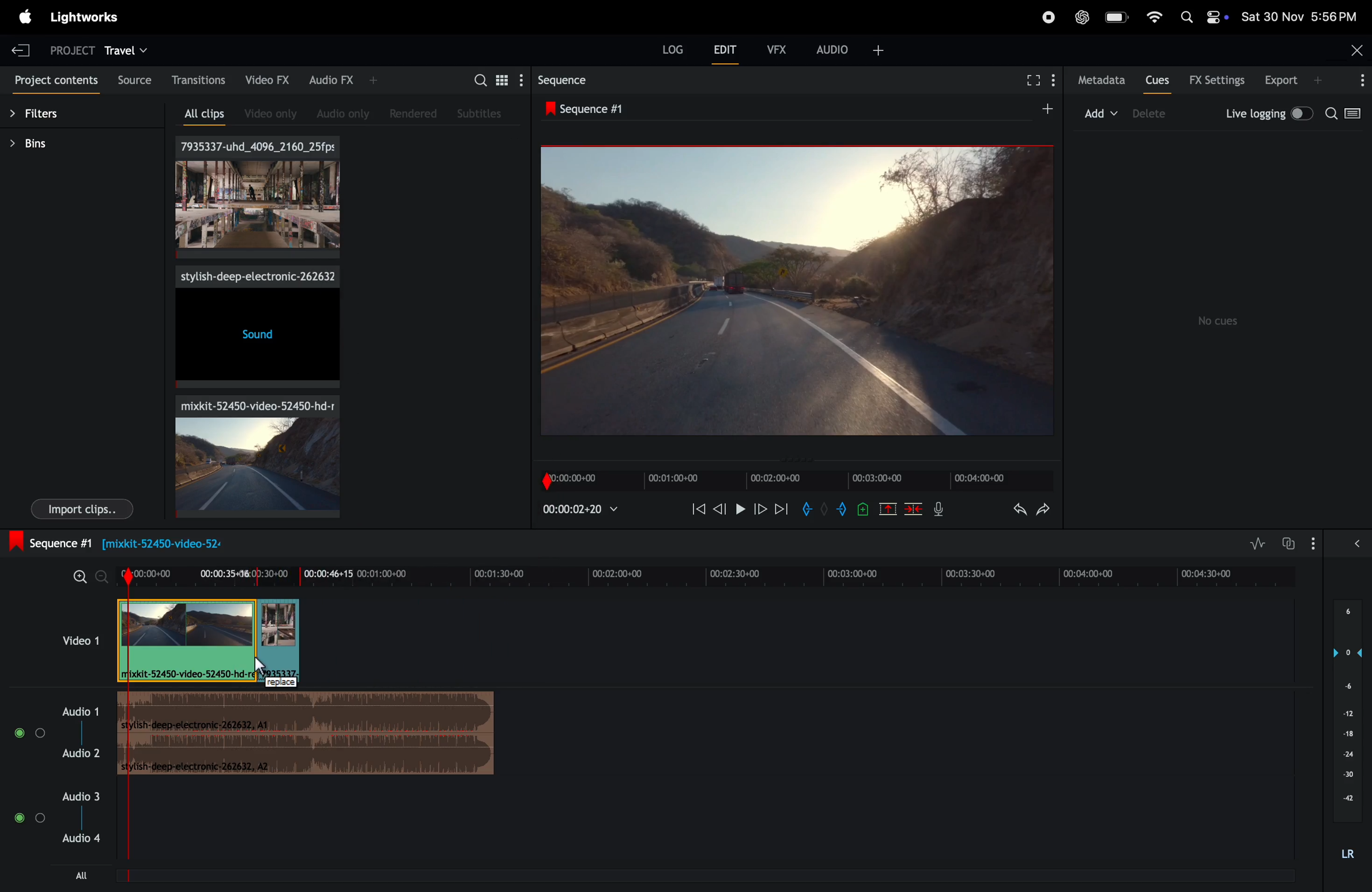 This screenshot has height=892, width=1372. What do you see at coordinates (1100, 80) in the screenshot?
I see `metadata` at bounding box center [1100, 80].